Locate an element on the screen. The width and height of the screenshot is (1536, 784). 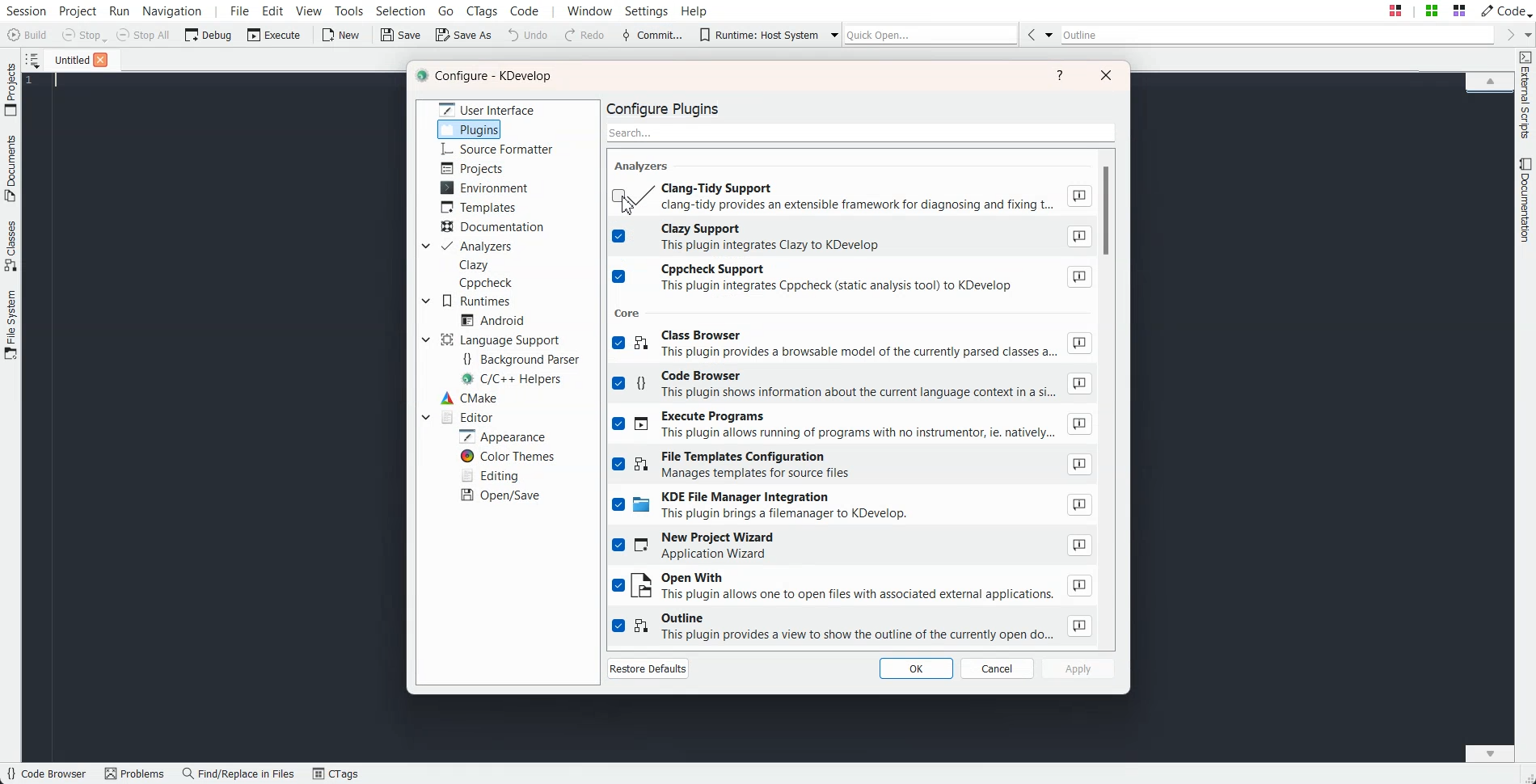
Quick Open is located at coordinates (931, 34).